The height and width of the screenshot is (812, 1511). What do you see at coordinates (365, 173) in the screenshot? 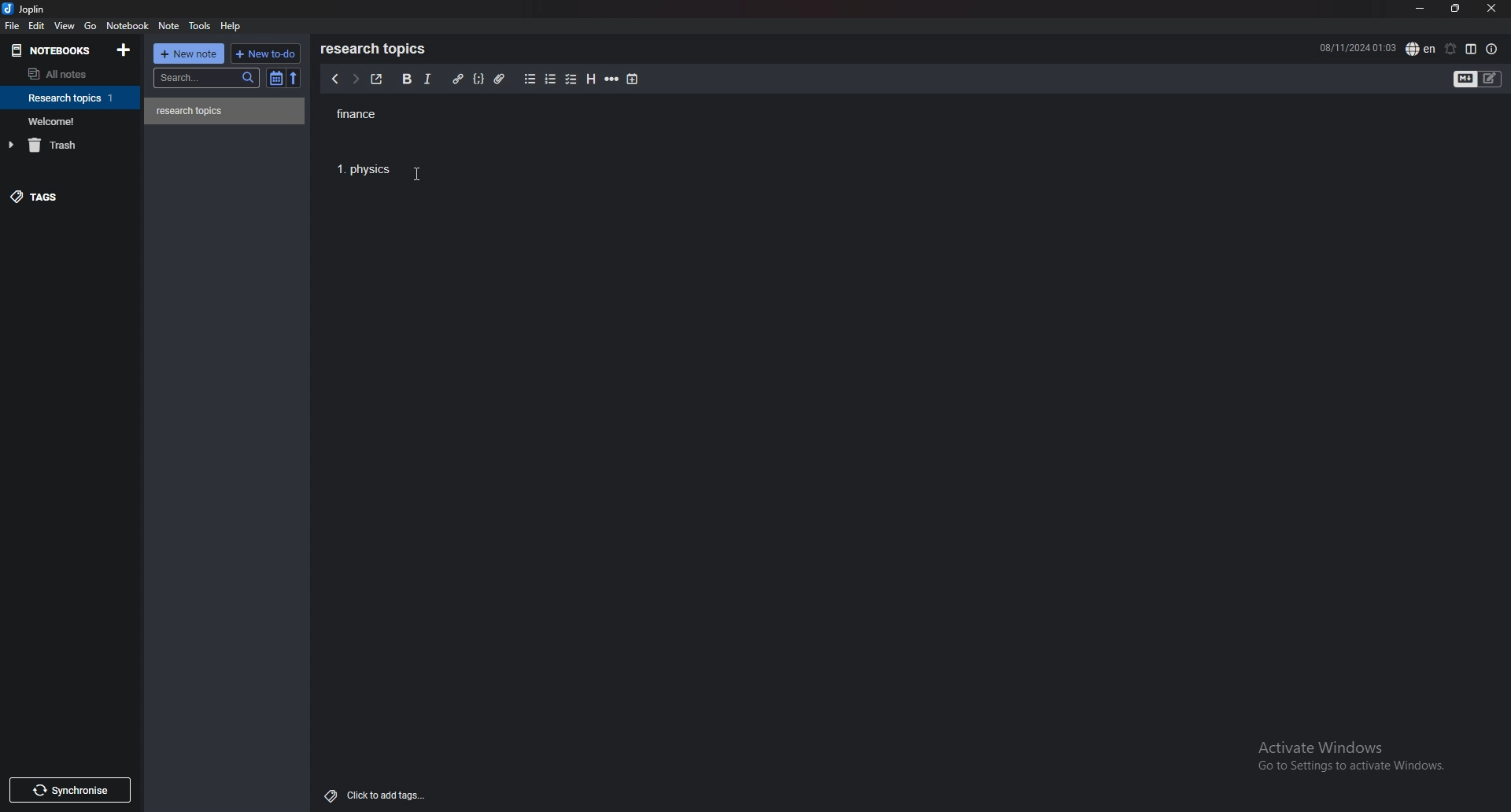
I see `1. Physics` at bounding box center [365, 173].